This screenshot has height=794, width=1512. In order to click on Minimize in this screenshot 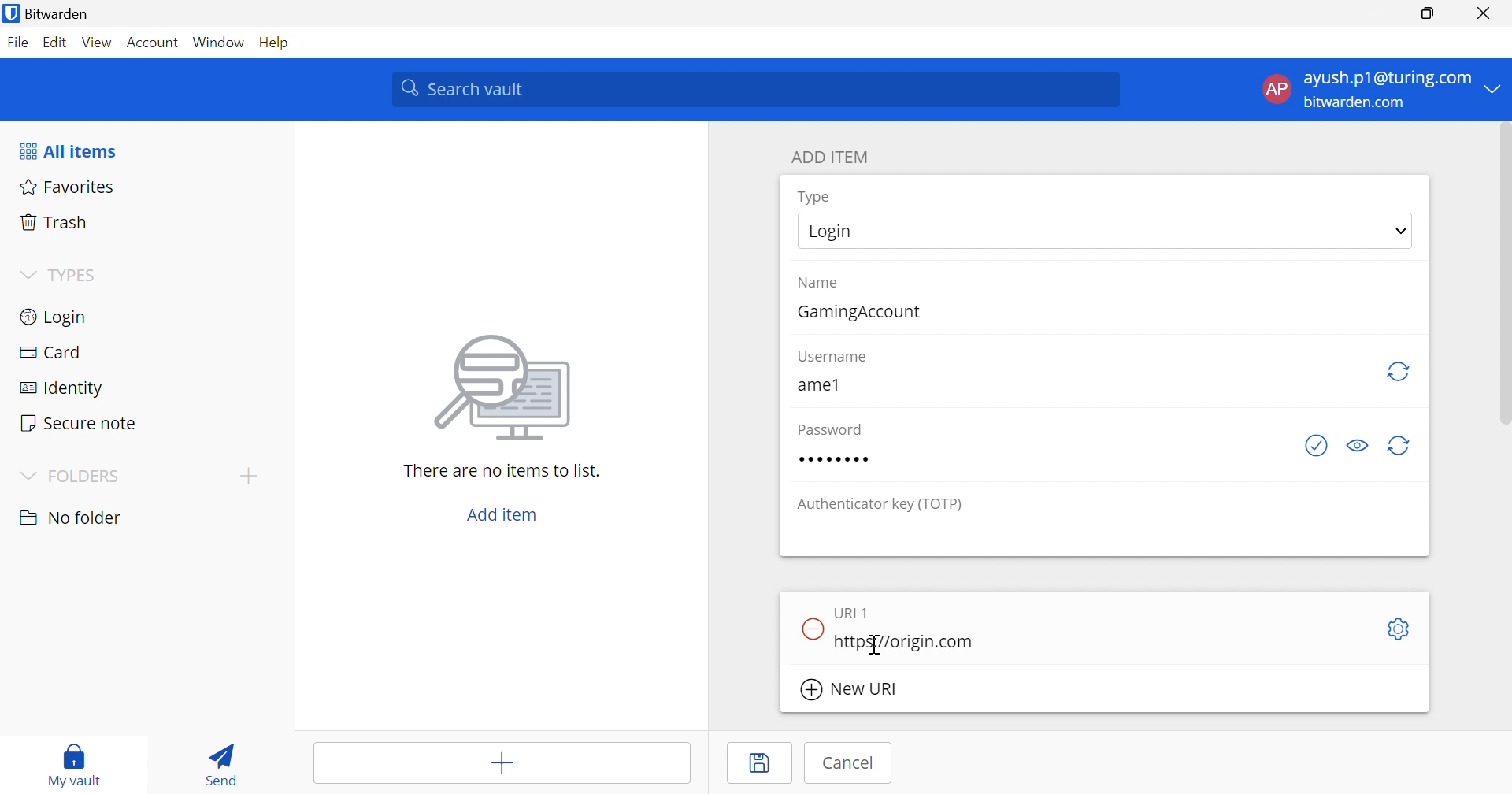, I will do `click(1373, 14)`.